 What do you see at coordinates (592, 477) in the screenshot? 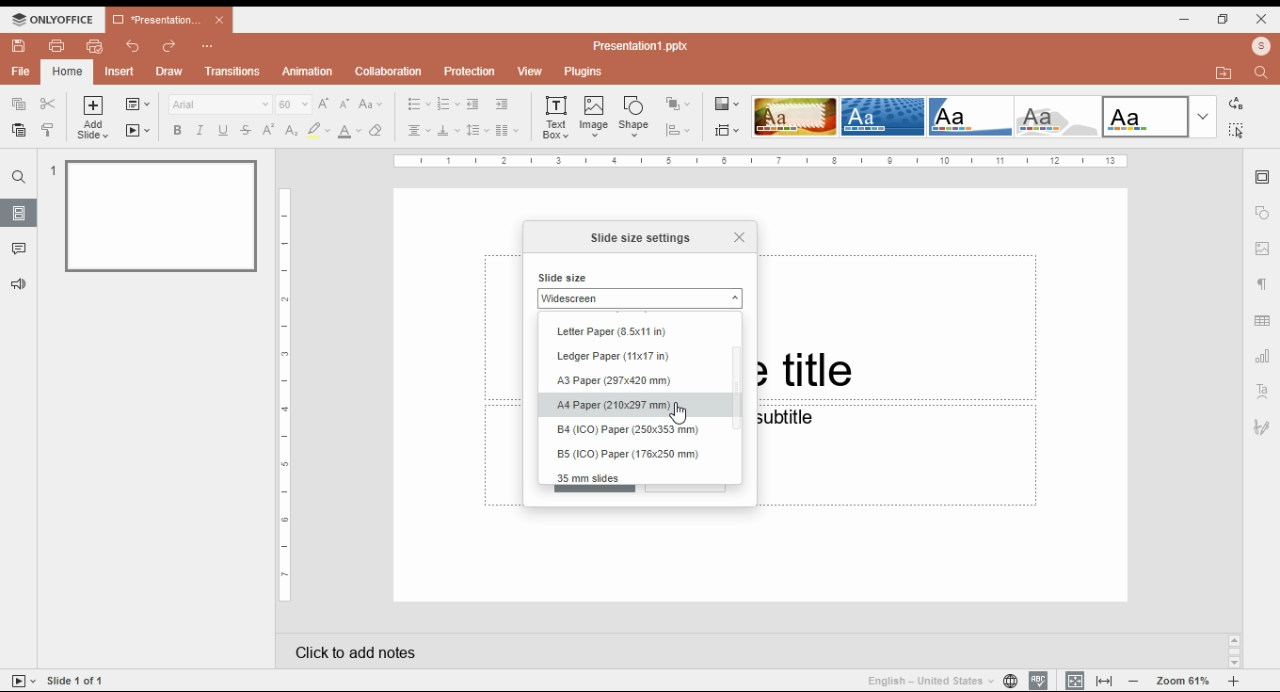
I see `35 mm slides` at bounding box center [592, 477].